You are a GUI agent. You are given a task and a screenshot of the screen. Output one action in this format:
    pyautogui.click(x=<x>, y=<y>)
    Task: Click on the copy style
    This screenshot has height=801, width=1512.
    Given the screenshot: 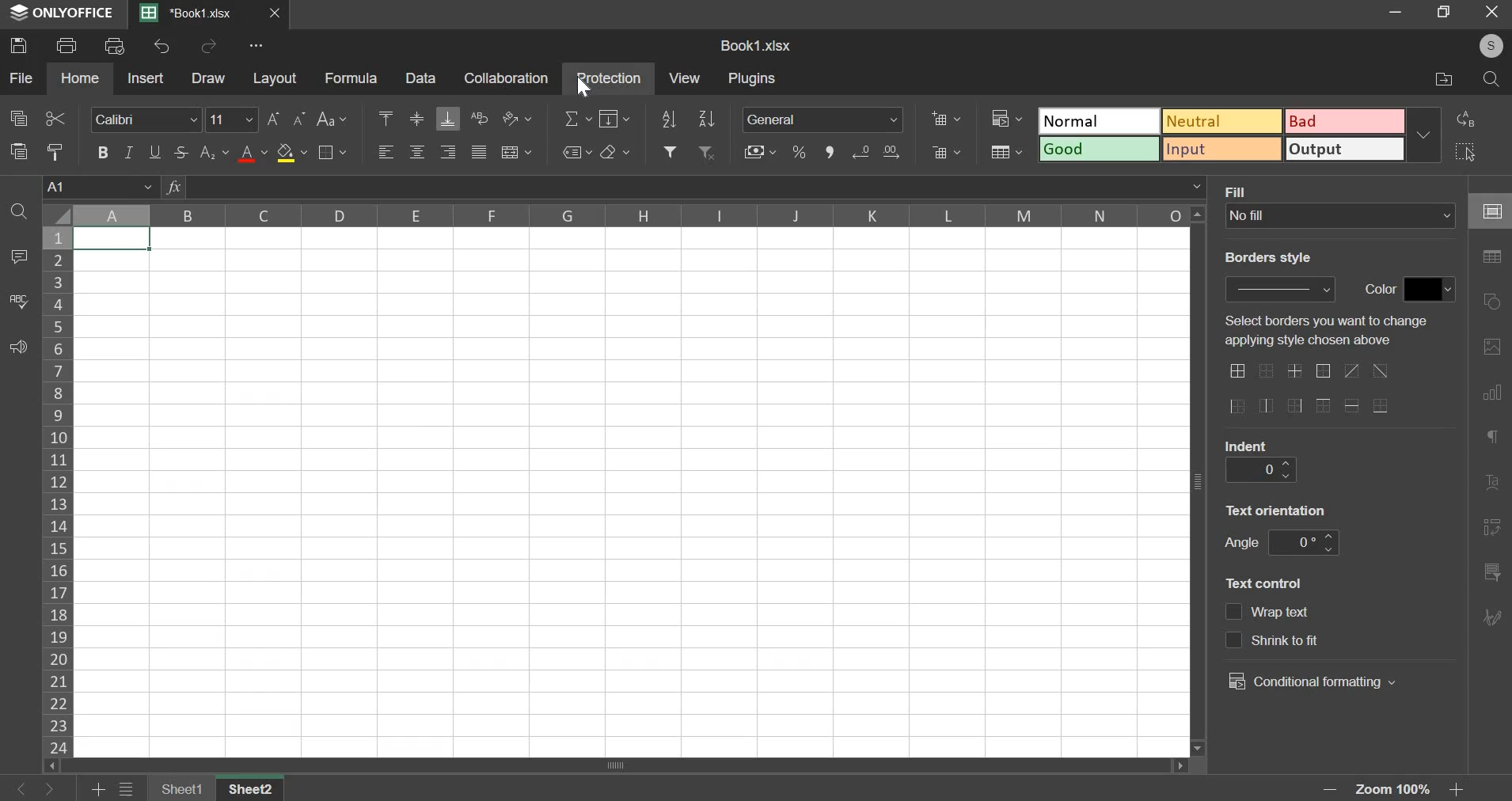 What is the action you would take?
    pyautogui.click(x=57, y=152)
    